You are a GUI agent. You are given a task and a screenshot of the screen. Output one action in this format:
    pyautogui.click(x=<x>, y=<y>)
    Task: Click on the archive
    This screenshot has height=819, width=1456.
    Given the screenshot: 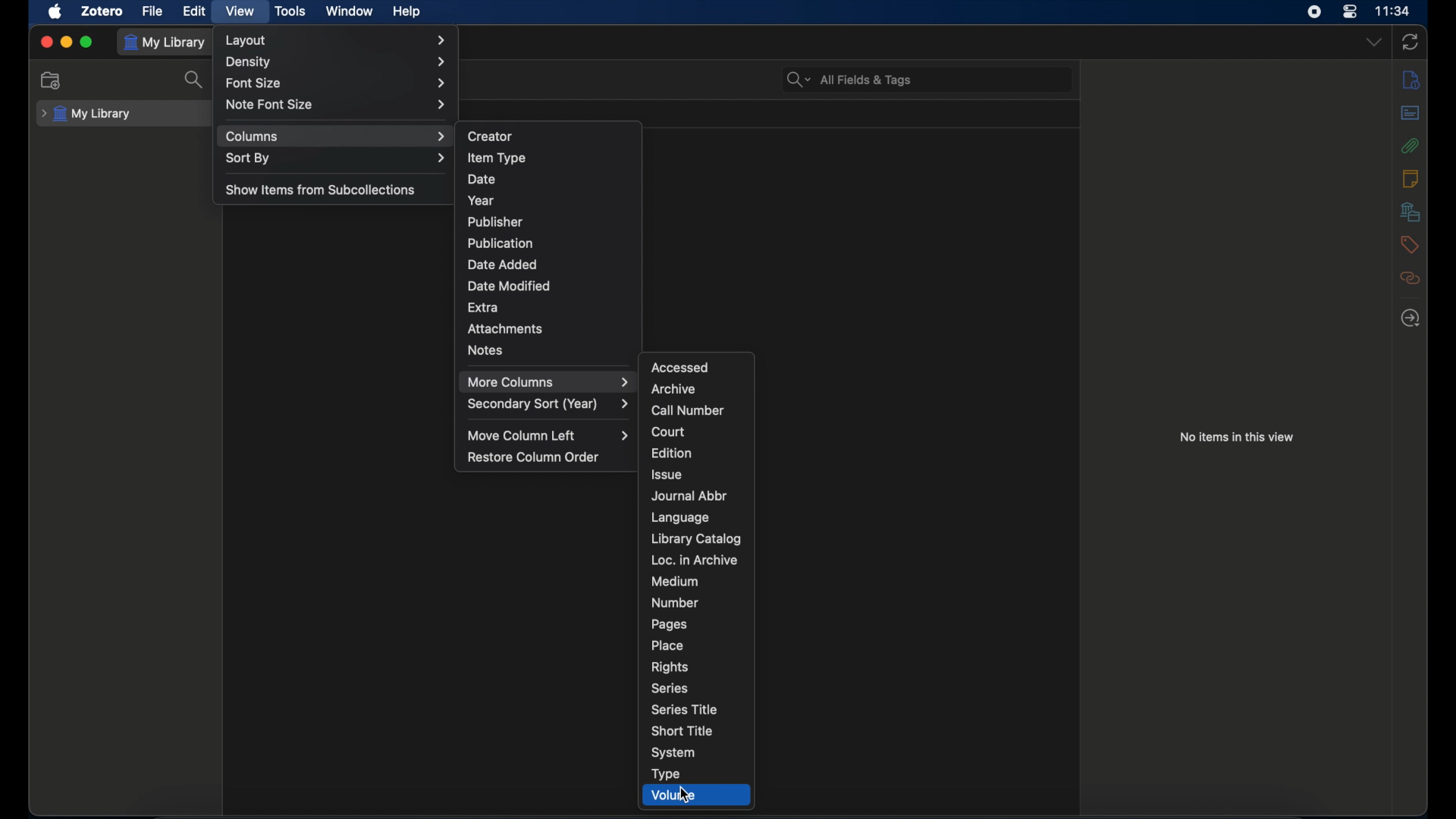 What is the action you would take?
    pyautogui.click(x=674, y=389)
    